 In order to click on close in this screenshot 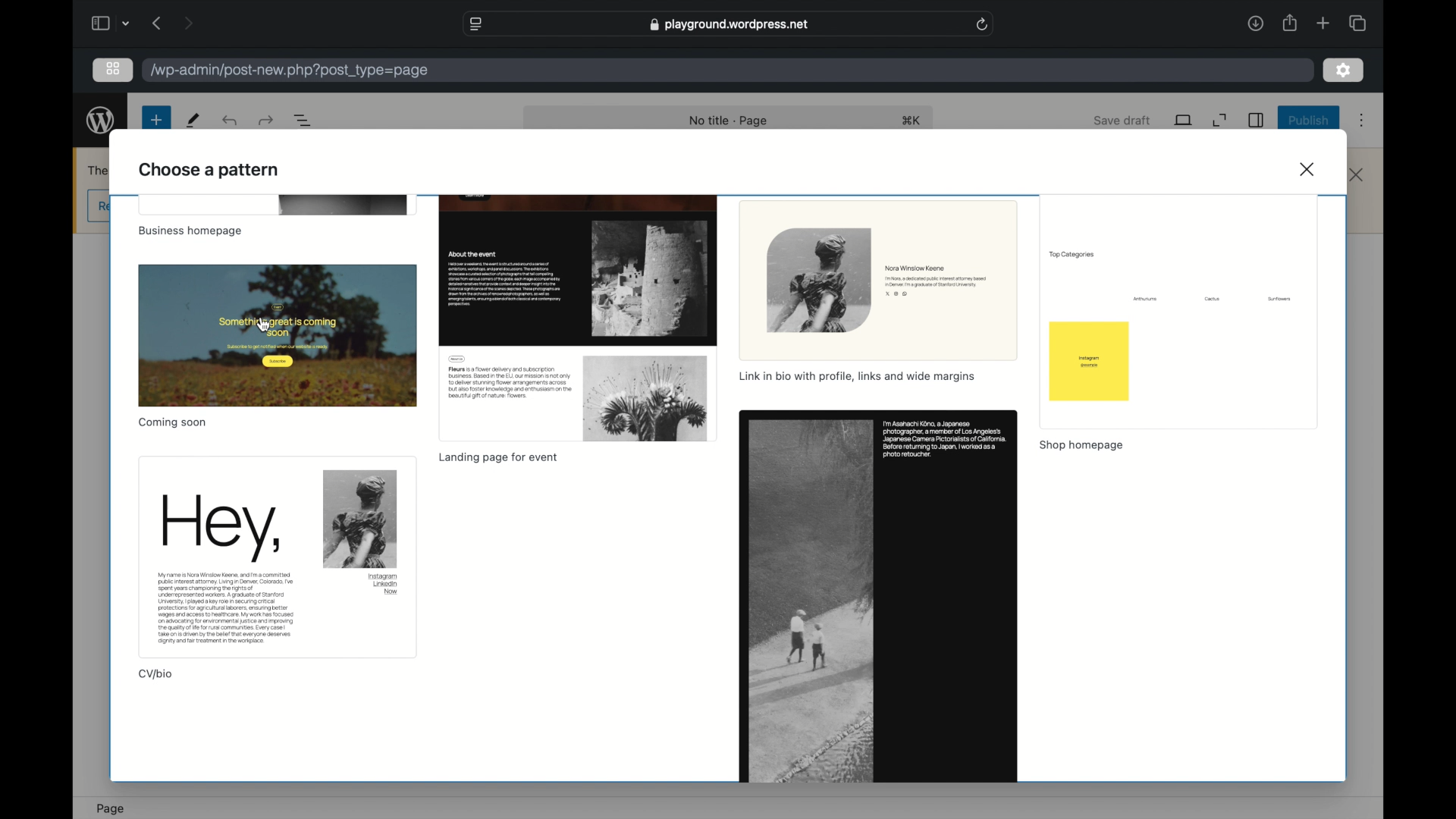, I will do `click(1309, 168)`.